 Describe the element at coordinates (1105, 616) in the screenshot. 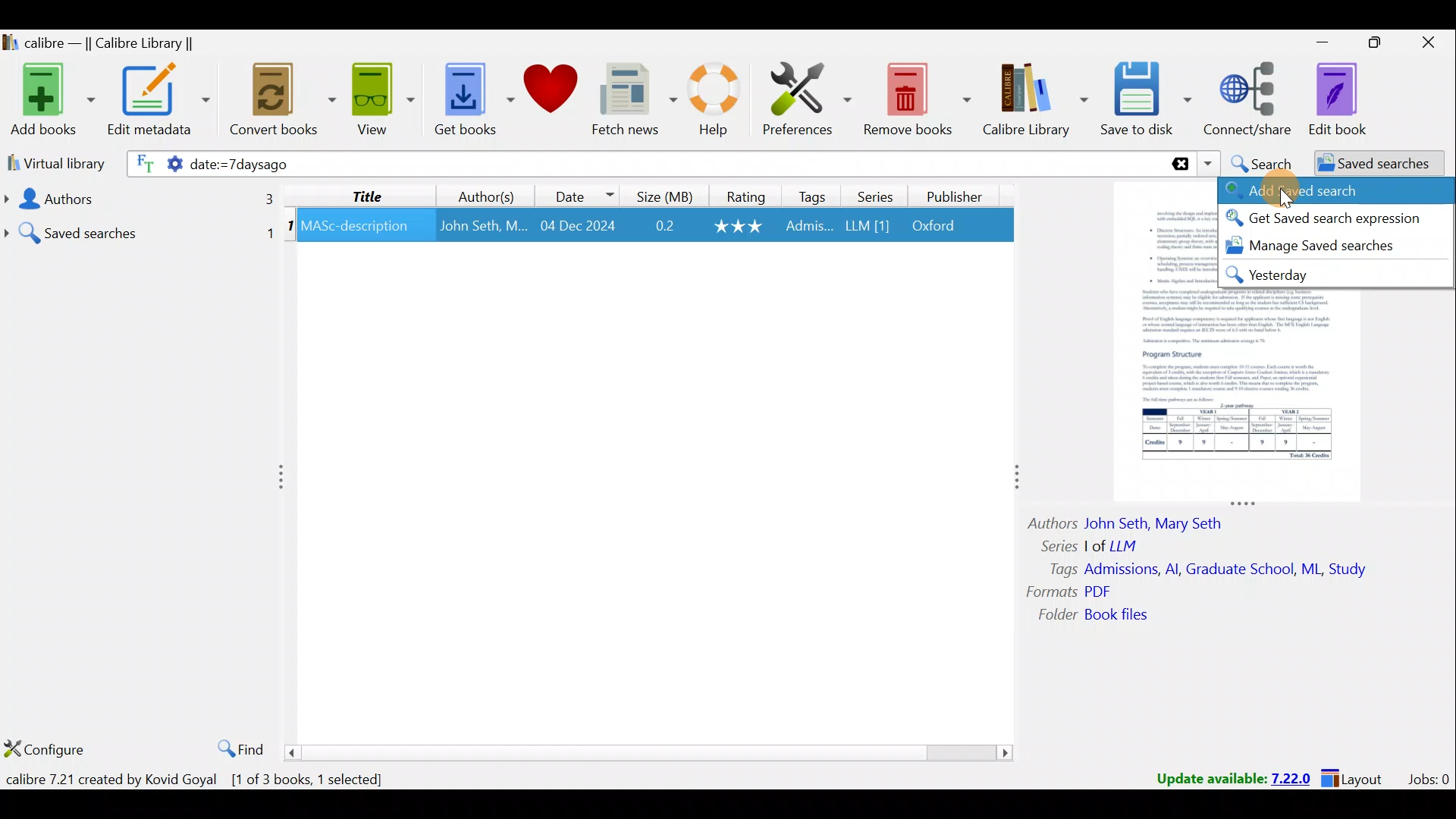

I see `Folder book files` at that location.